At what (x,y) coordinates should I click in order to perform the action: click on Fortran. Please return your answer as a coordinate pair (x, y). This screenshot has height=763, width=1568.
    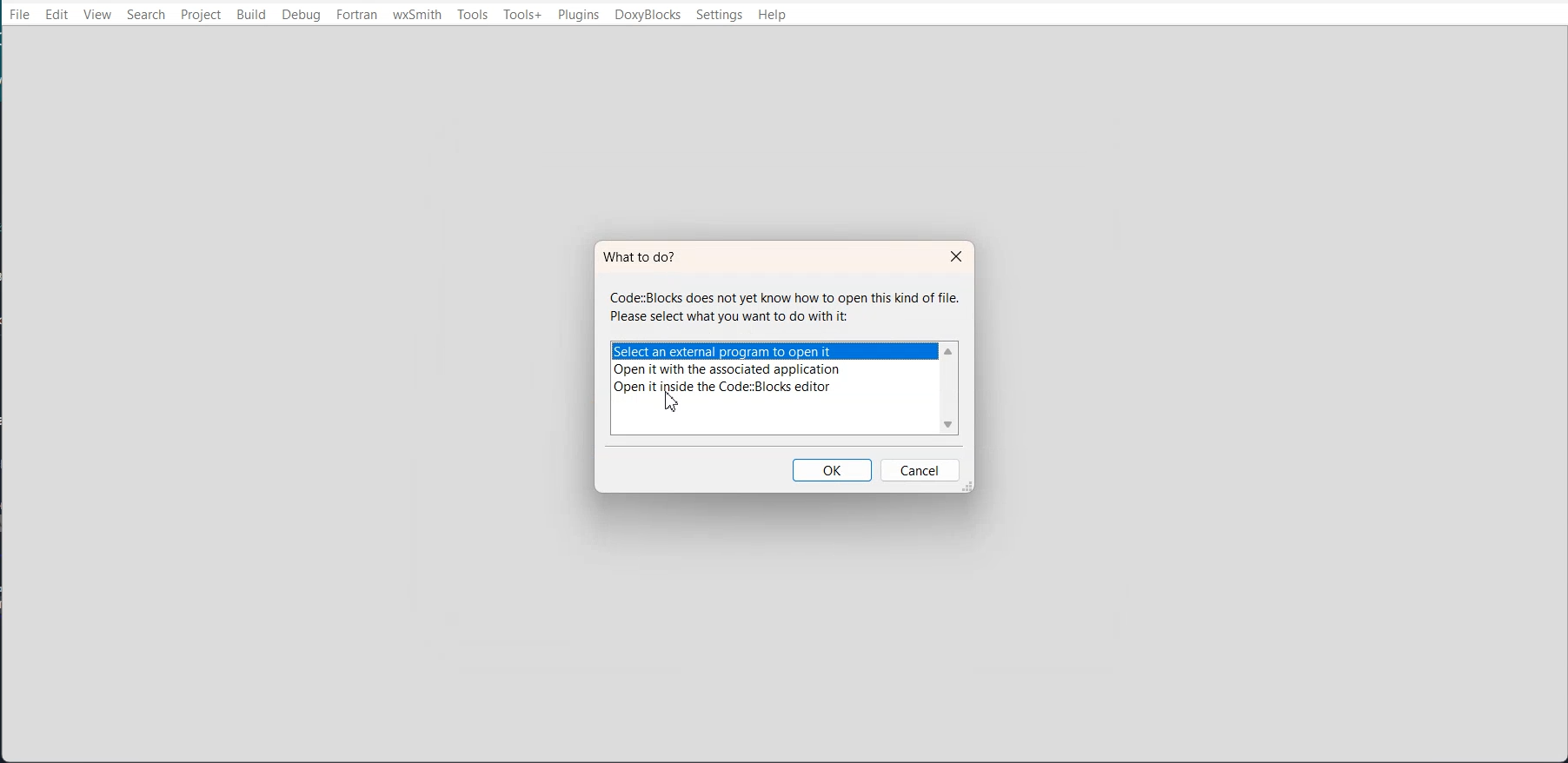
    Looking at the image, I should click on (357, 16).